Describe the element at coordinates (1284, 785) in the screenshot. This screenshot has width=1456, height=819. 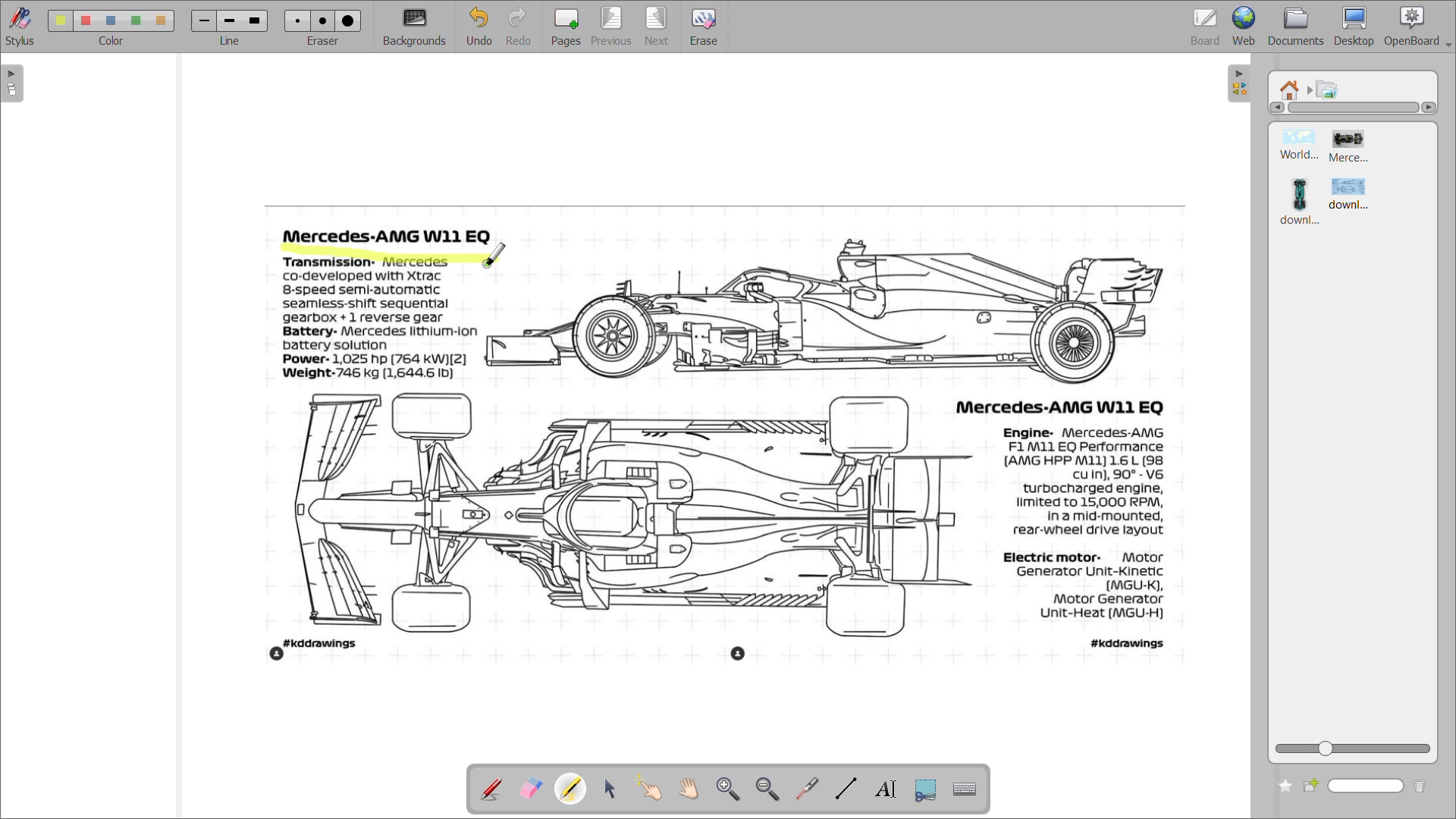
I see `add to favourites` at that location.